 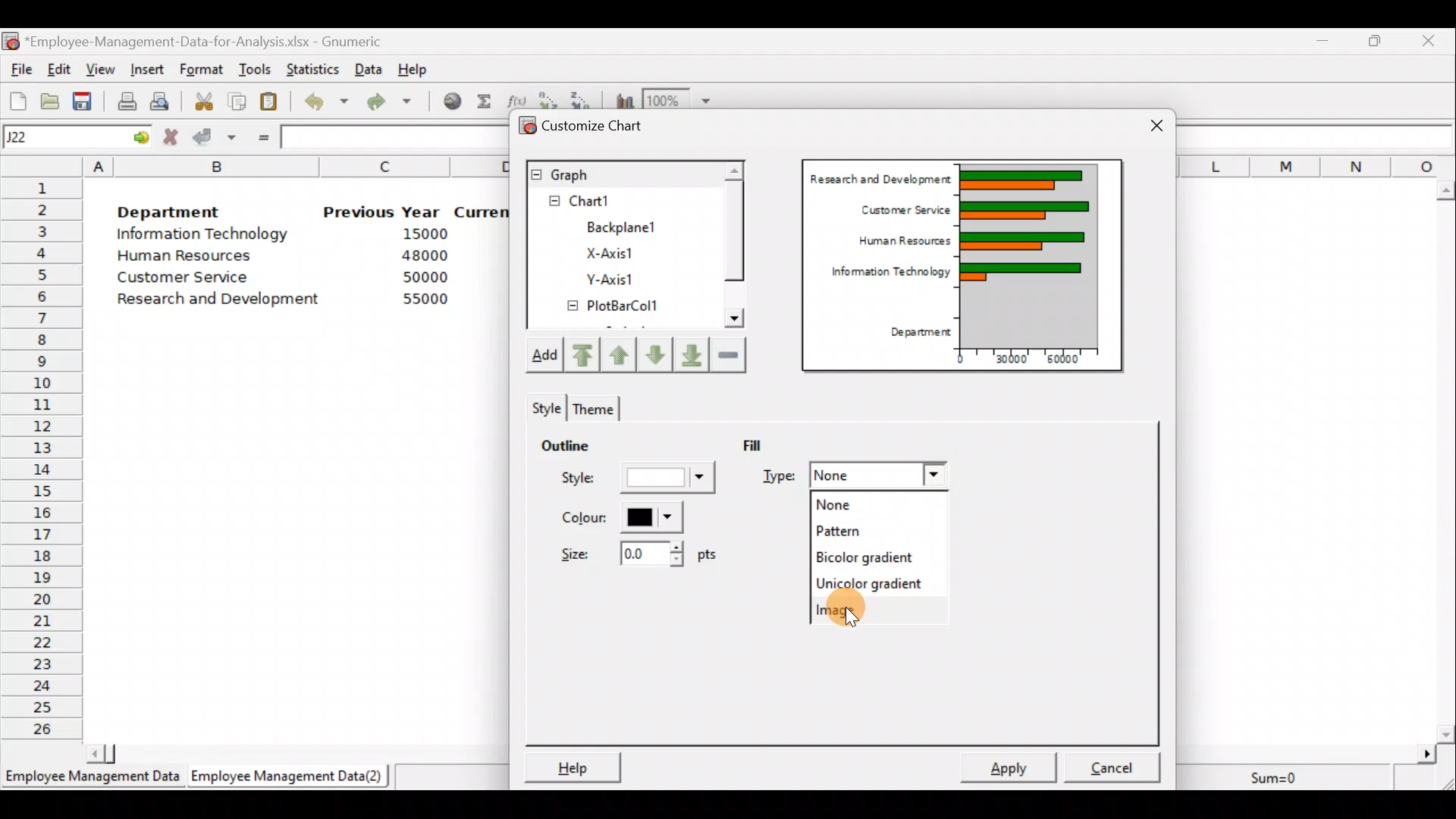 What do you see at coordinates (604, 201) in the screenshot?
I see `Chart1` at bounding box center [604, 201].